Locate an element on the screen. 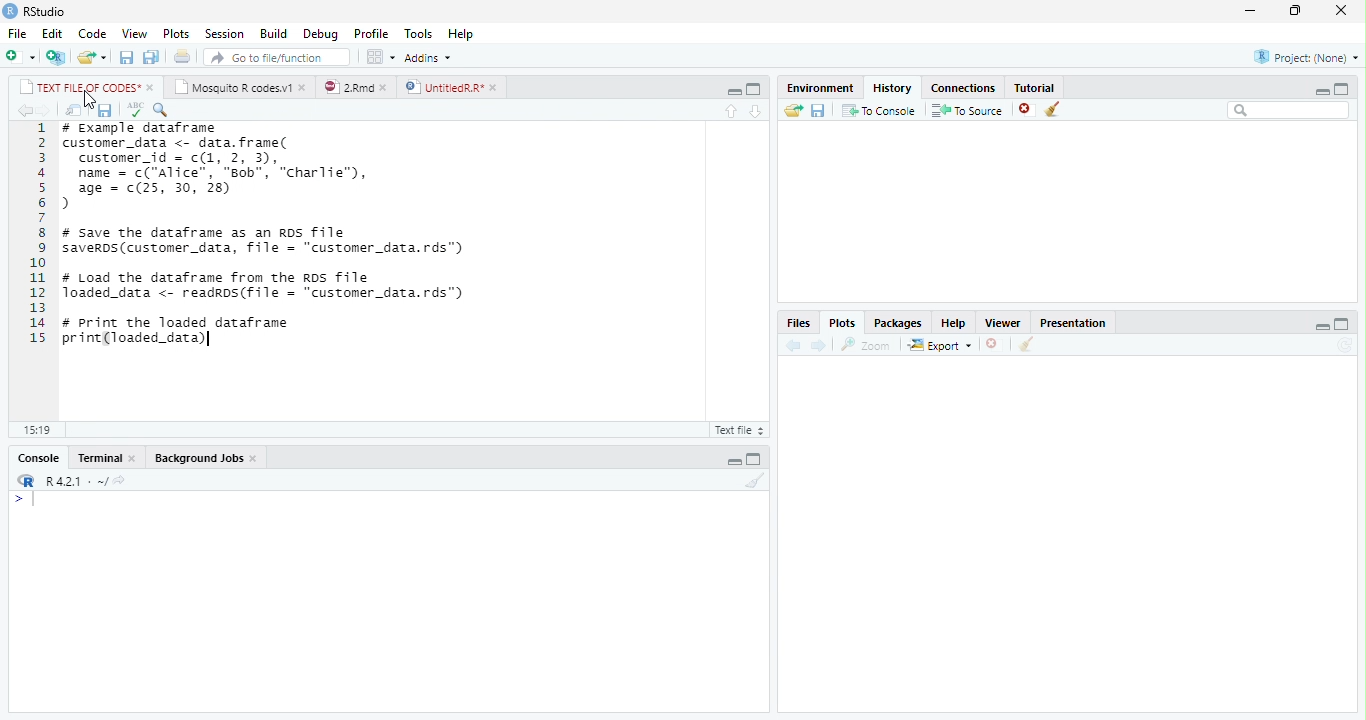 Image resolution: width=1366 pixels, height=720 pixels. Project(None) is located at coordinates (1307, 57).